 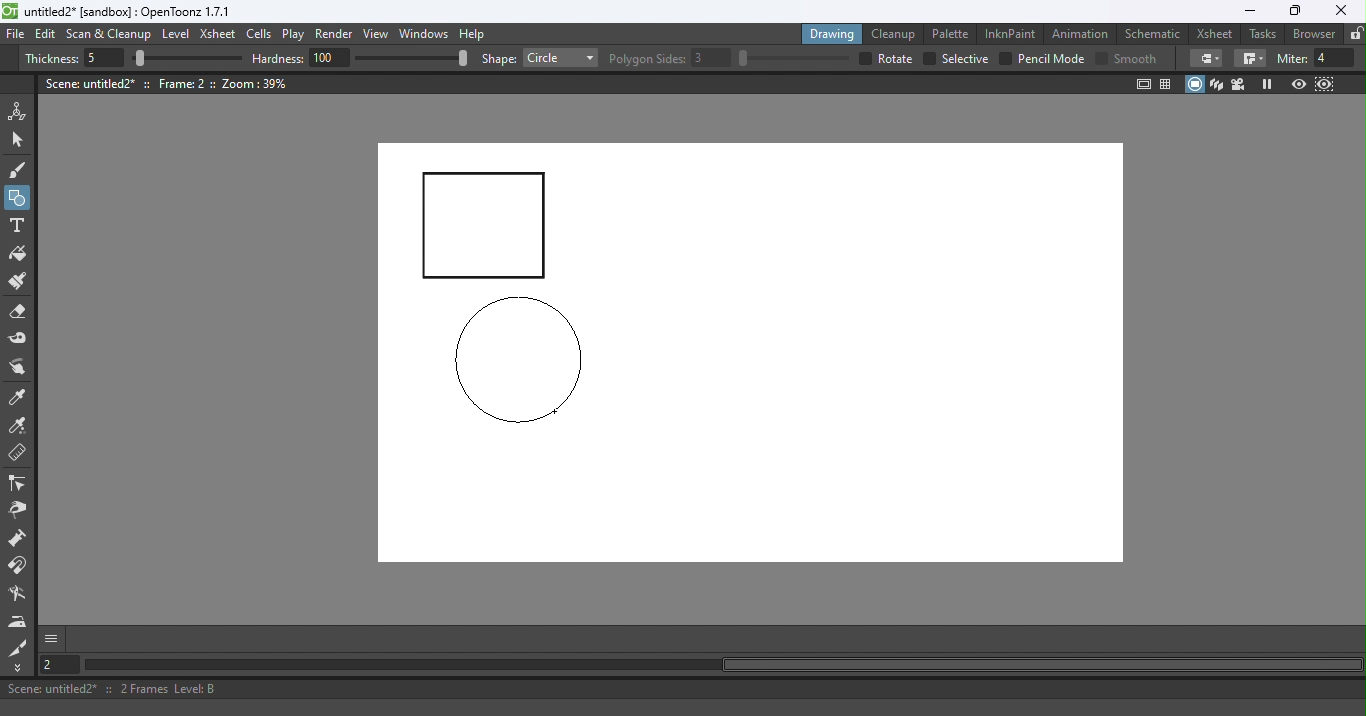 I want to click on checkbox, so click(x=1005, y=58).